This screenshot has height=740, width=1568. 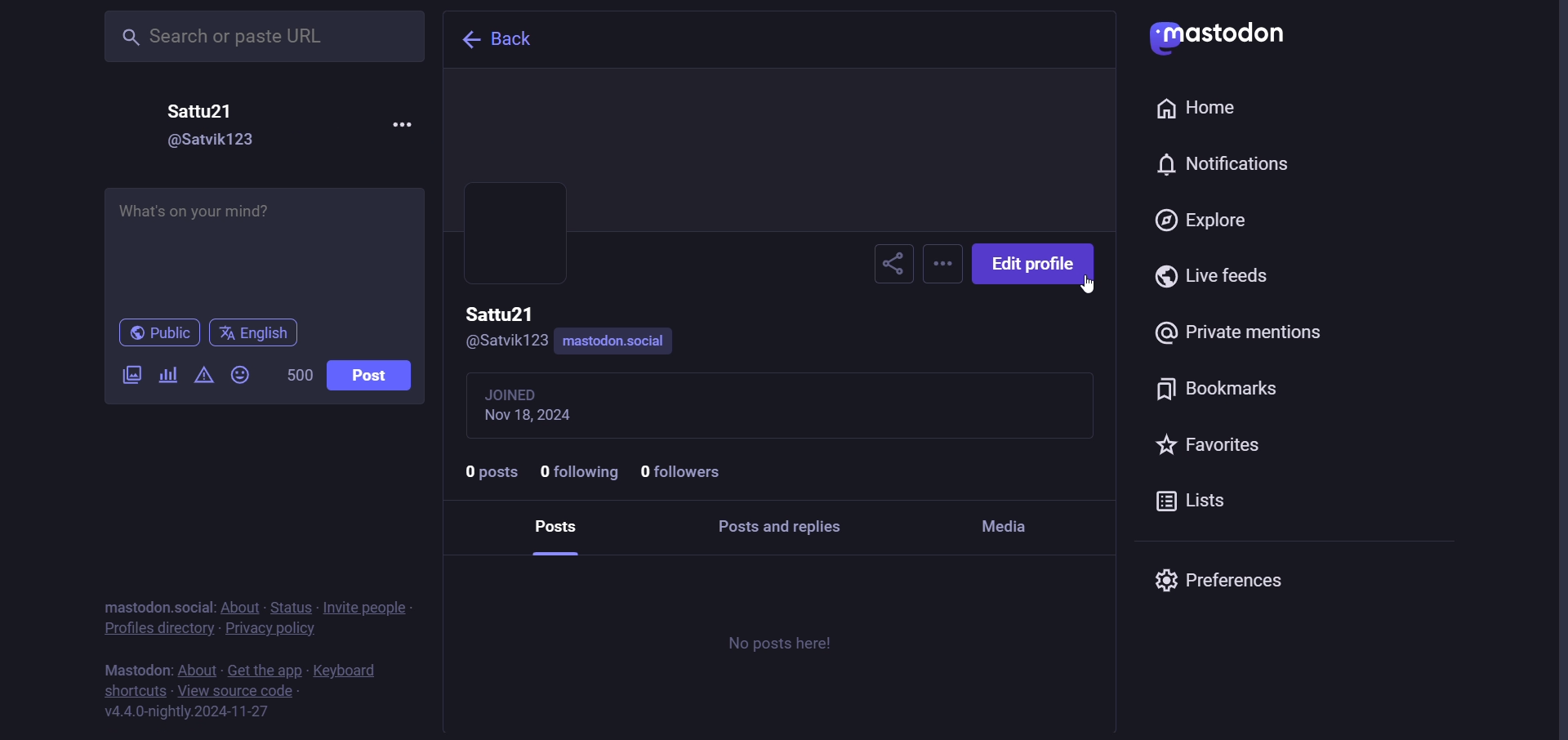 What do you see at coordinates (499, 315) in the screenshot?
I see `Sattu21` at bounding box center [499, 315].